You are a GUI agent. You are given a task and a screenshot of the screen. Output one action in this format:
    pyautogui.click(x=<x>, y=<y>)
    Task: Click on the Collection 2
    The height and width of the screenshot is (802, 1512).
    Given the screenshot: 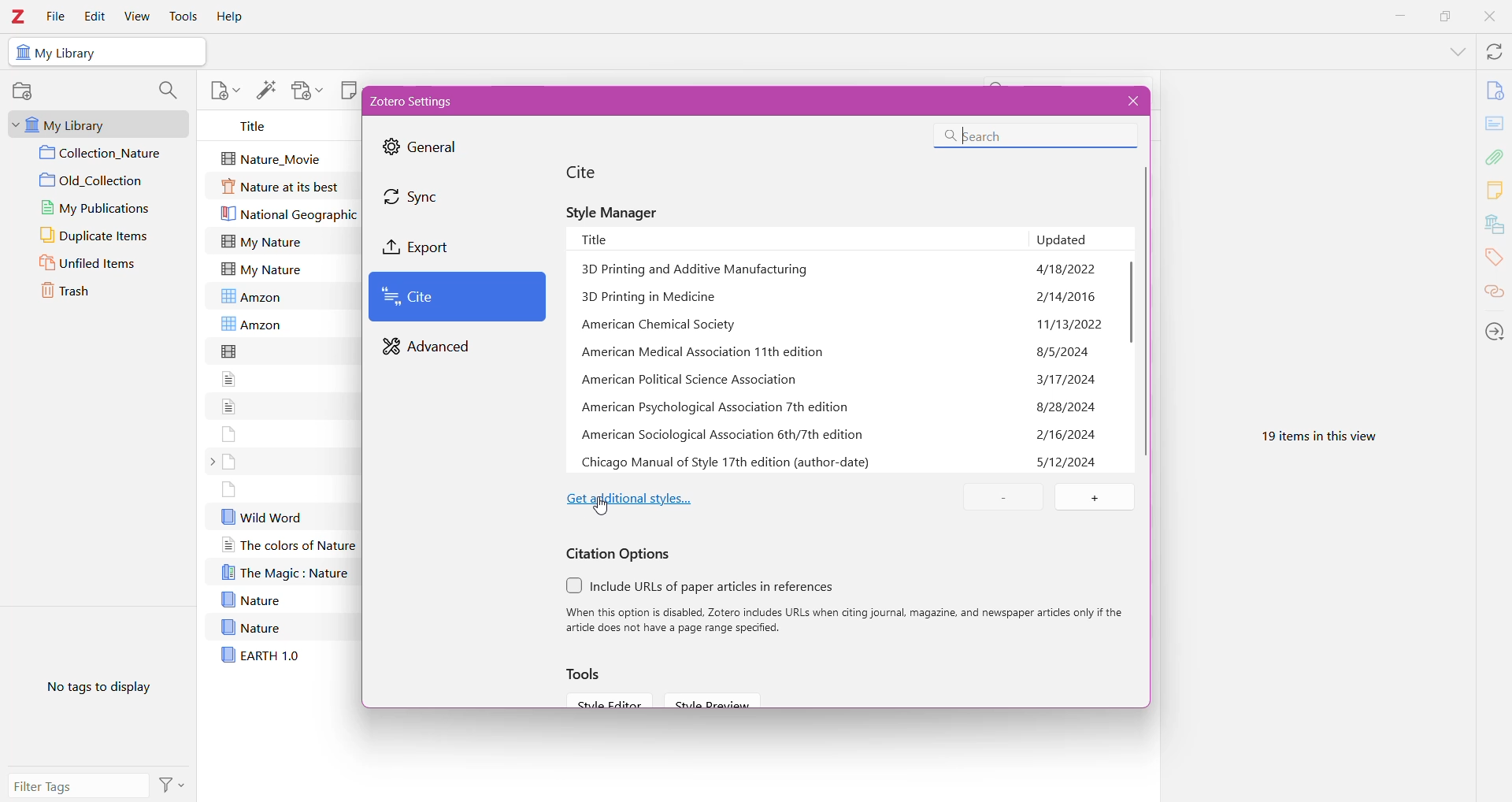 What is the action you would take?
    pyautogui.click(x=105, y=180)
    